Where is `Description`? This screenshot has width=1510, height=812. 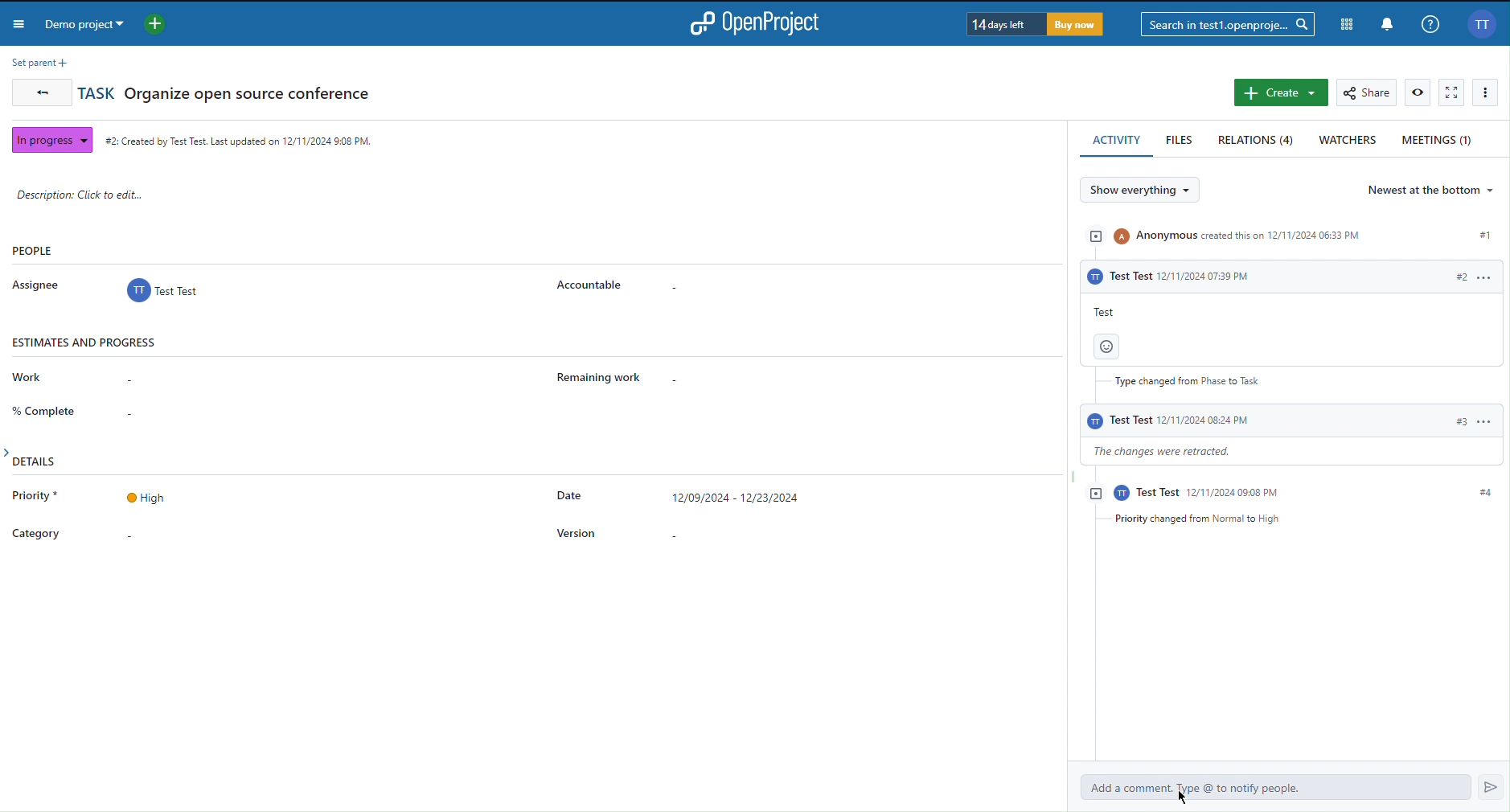 Description is located at coordinates (96, 195).